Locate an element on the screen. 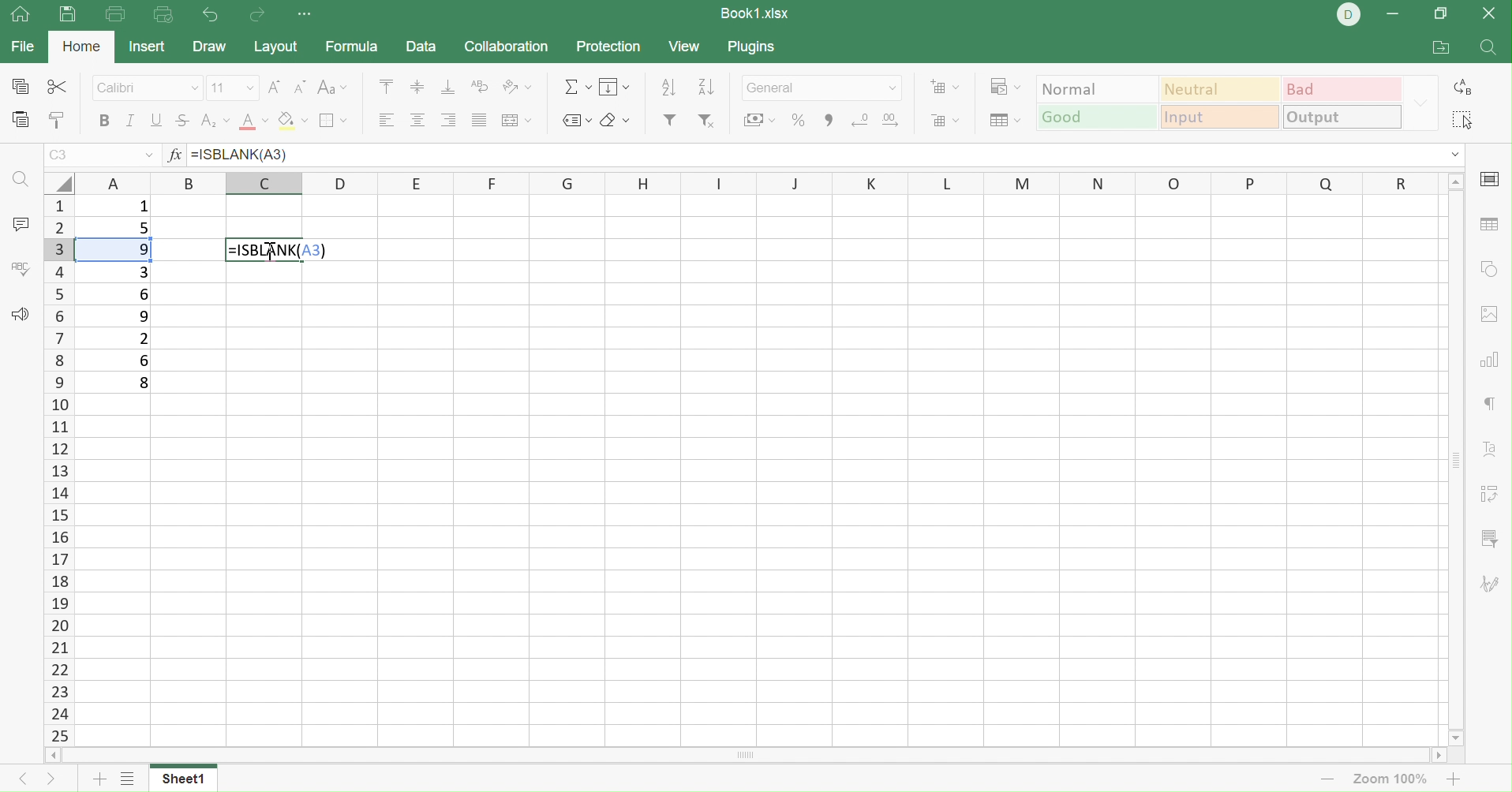 The height and width of the screenshot is (792, 1512). Plugins is located at coordinates (755, 47).